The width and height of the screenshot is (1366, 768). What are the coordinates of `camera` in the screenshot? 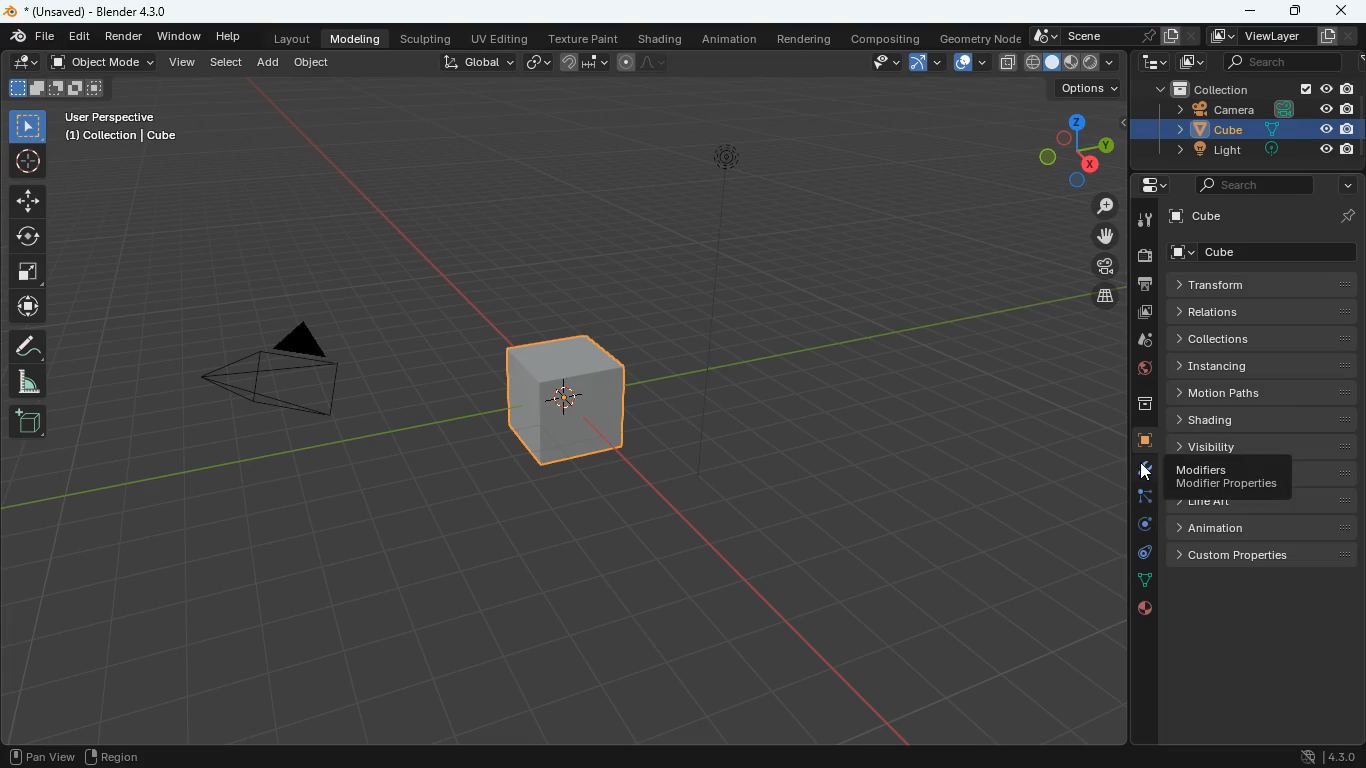 It's located at (1105, 266).